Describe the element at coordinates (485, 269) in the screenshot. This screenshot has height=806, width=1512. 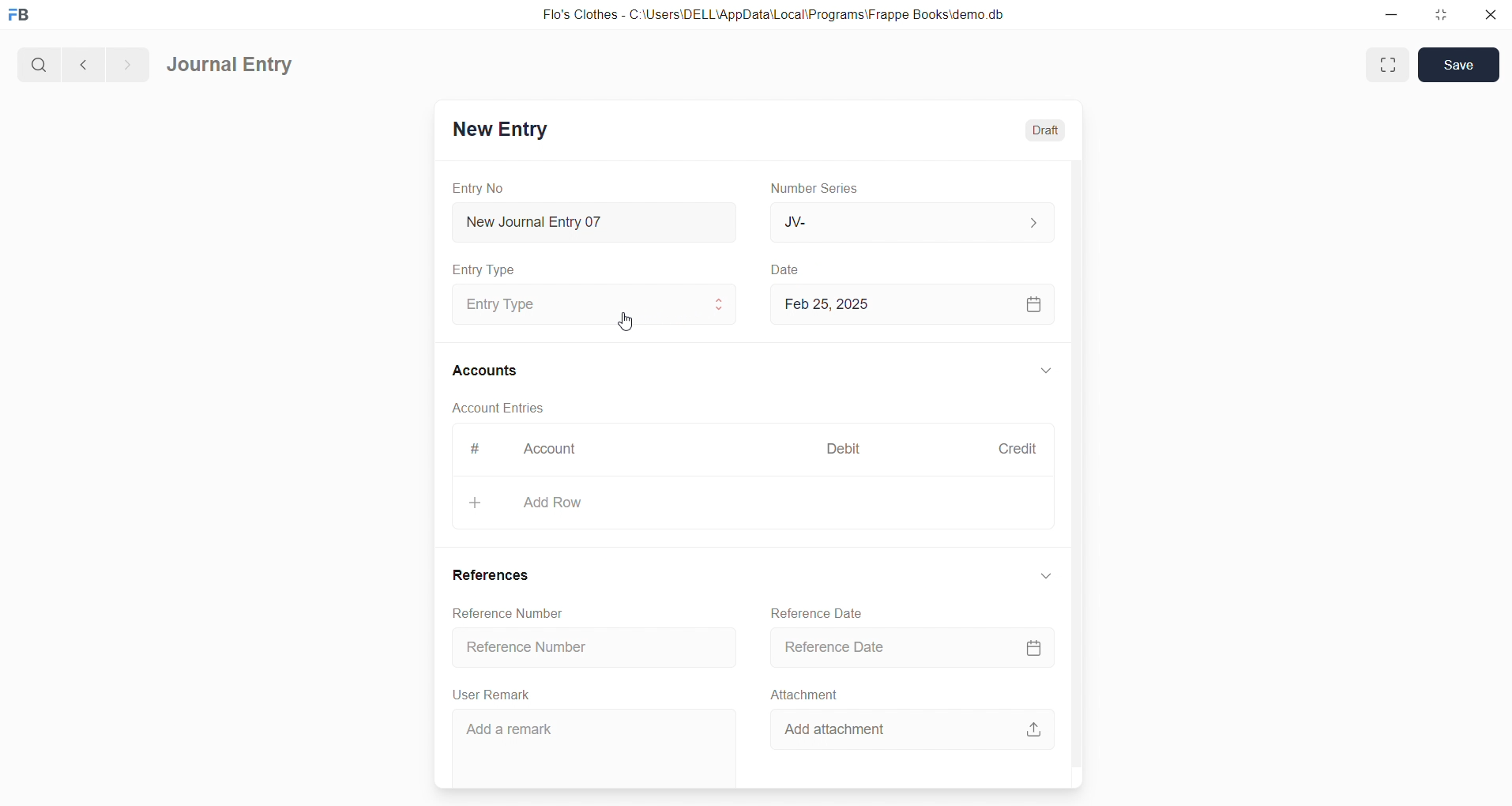
I see `Entry Type` at that location.